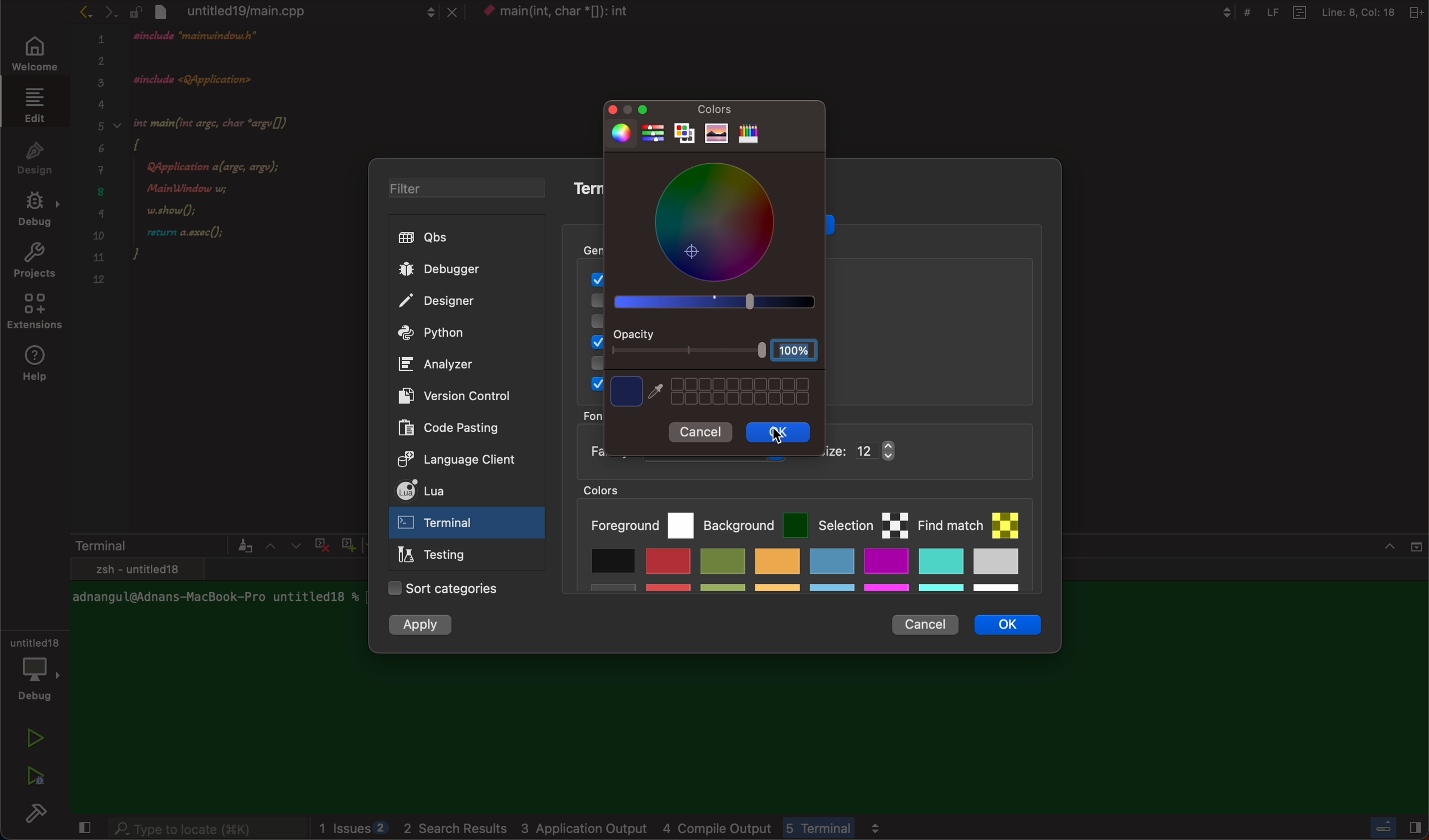 This screenshot has height=840, width=1429. What do you see at coordinates (346, 543) in the screenshot?
I see `plus` at bounding box center [346, 543].